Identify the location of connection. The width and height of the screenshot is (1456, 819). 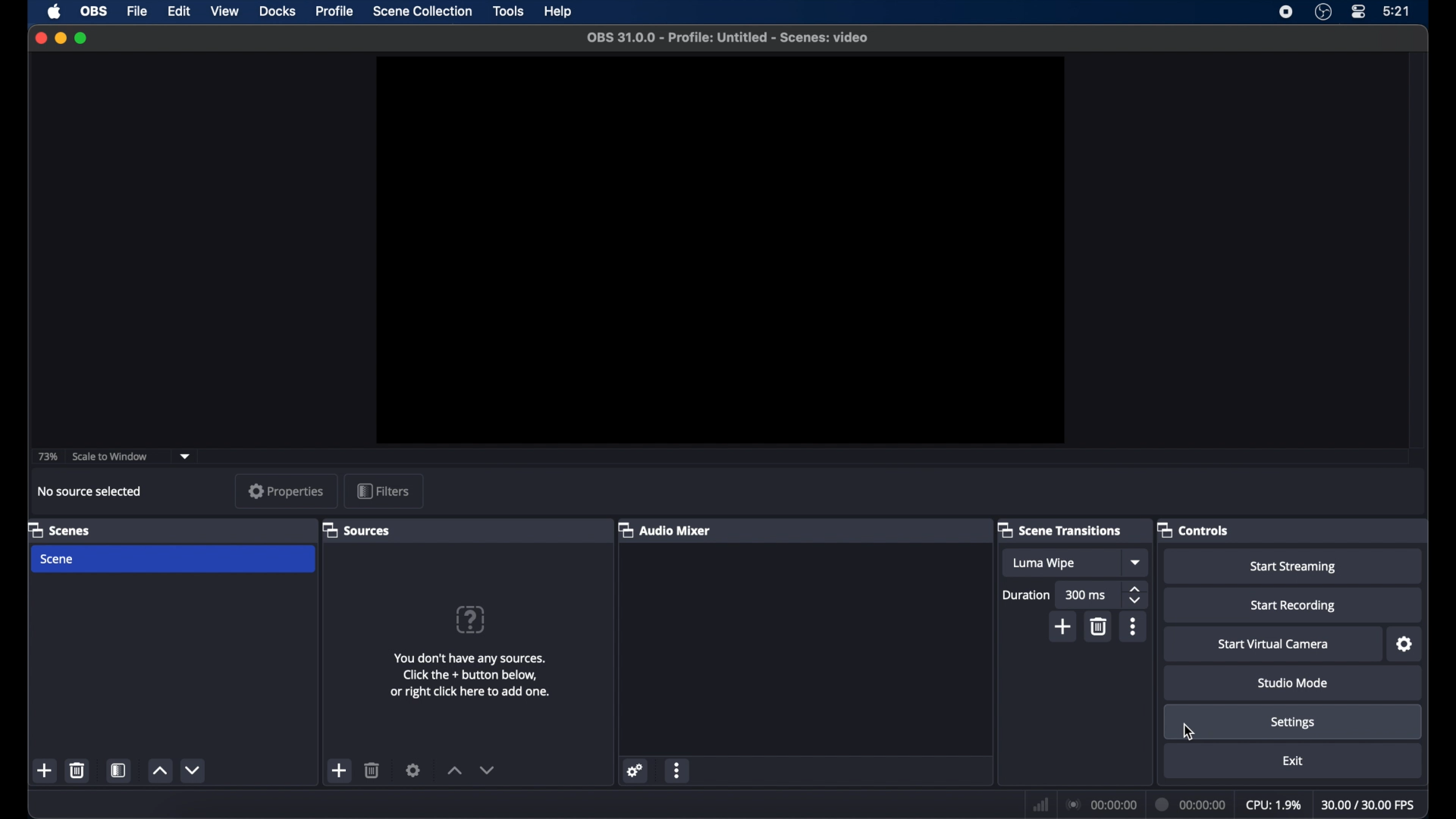
(1101, 805).